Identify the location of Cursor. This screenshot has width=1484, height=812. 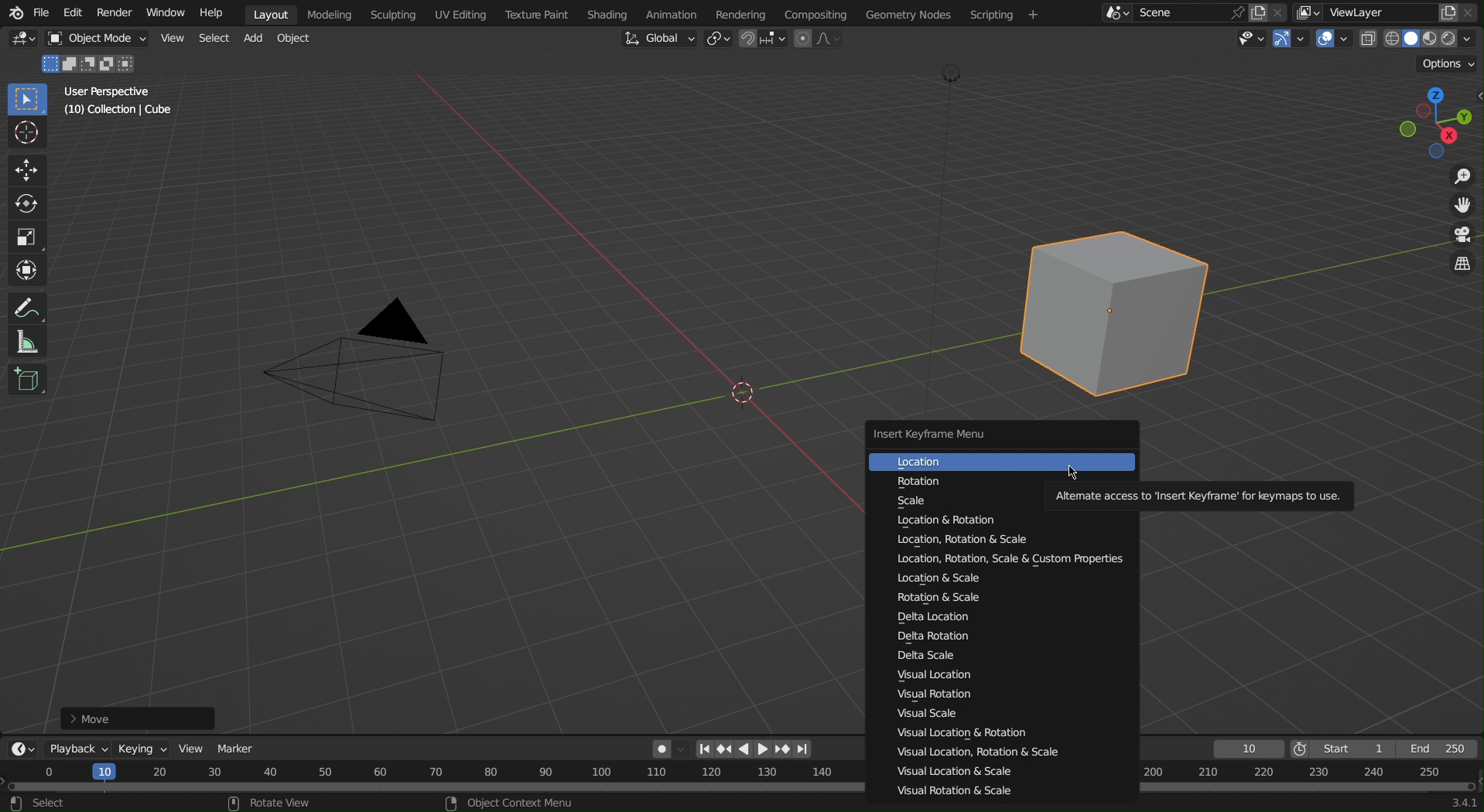
(28, 135).